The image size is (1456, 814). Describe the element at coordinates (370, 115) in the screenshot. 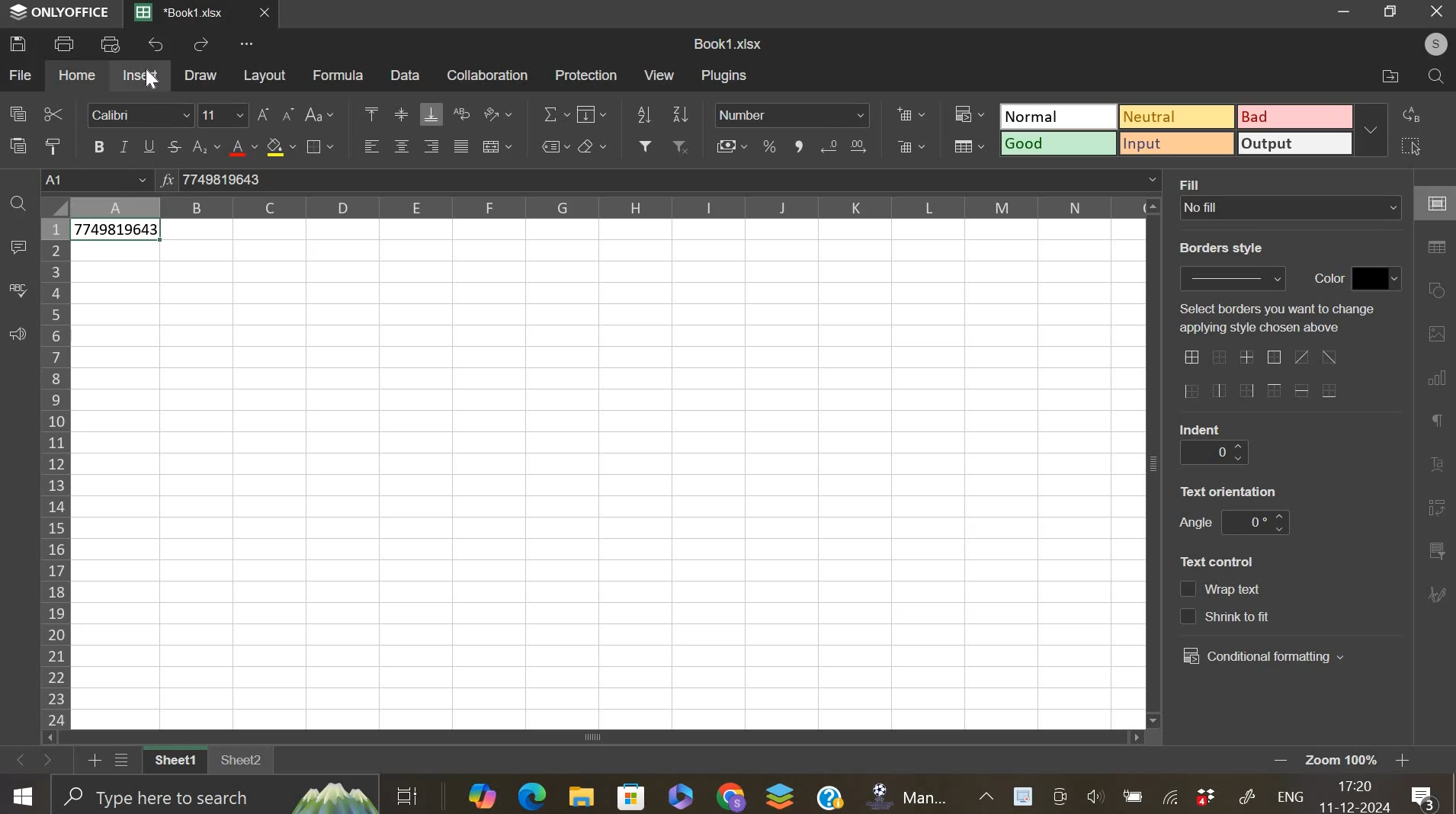

I see `align top` at that location.